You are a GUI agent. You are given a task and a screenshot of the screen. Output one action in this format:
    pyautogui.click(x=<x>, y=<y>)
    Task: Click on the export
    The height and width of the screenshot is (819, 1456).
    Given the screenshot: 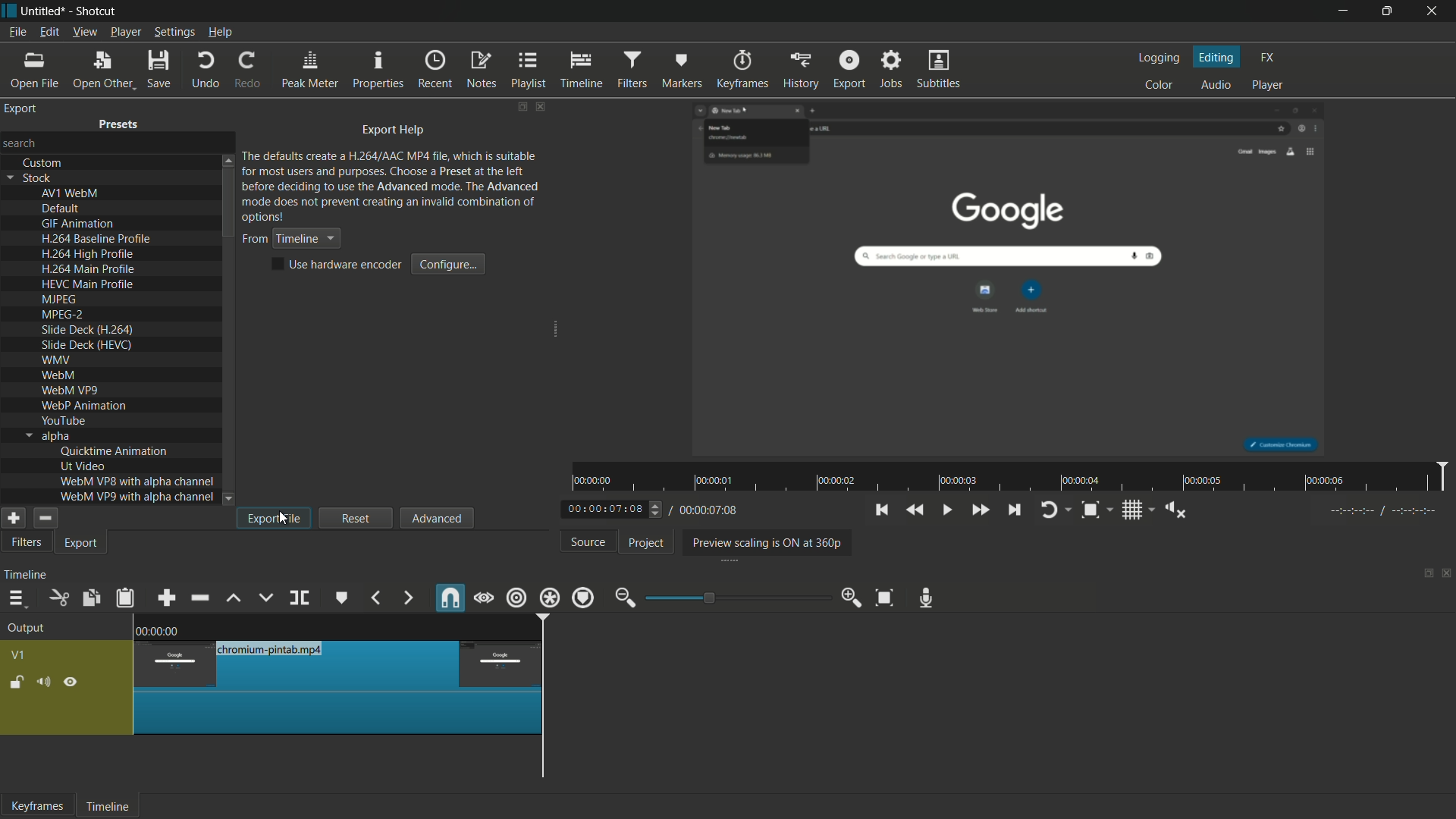 What is the action you would take?
    pyautogui.click(x=849, y=68)
    